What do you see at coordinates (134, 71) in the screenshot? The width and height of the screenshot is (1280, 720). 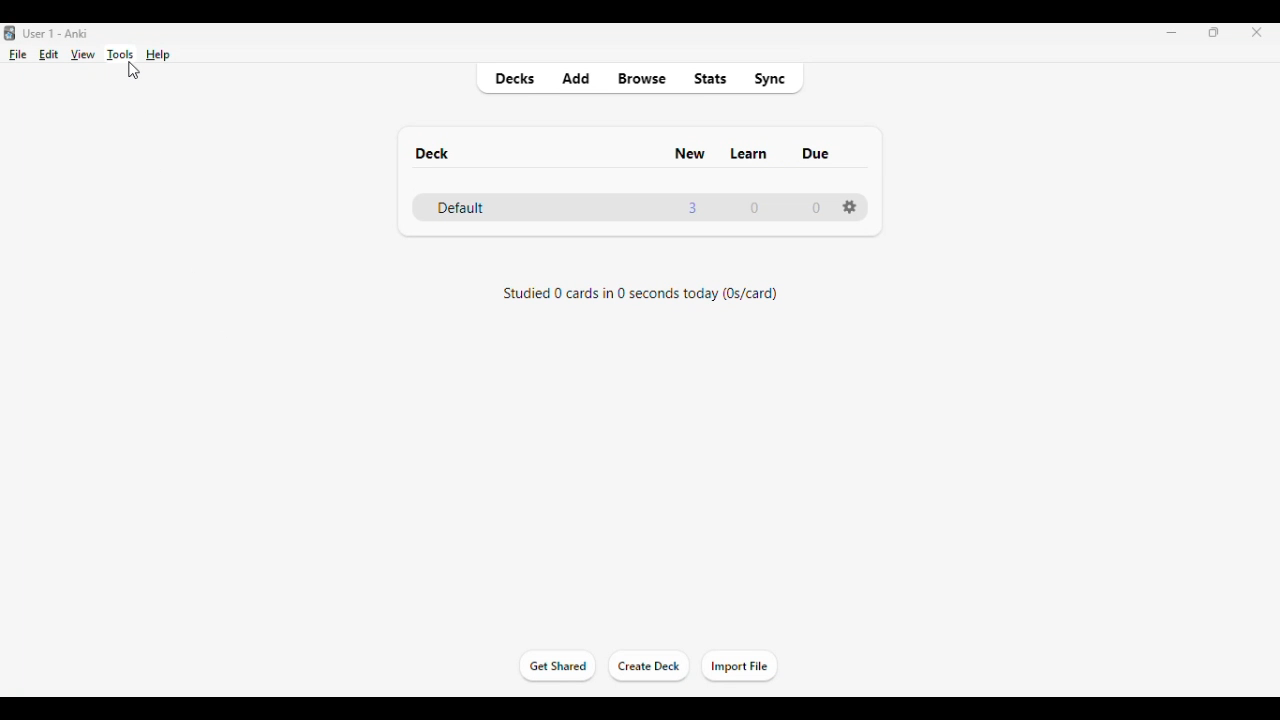 I see `cursor` at bounding box center [134, 71].